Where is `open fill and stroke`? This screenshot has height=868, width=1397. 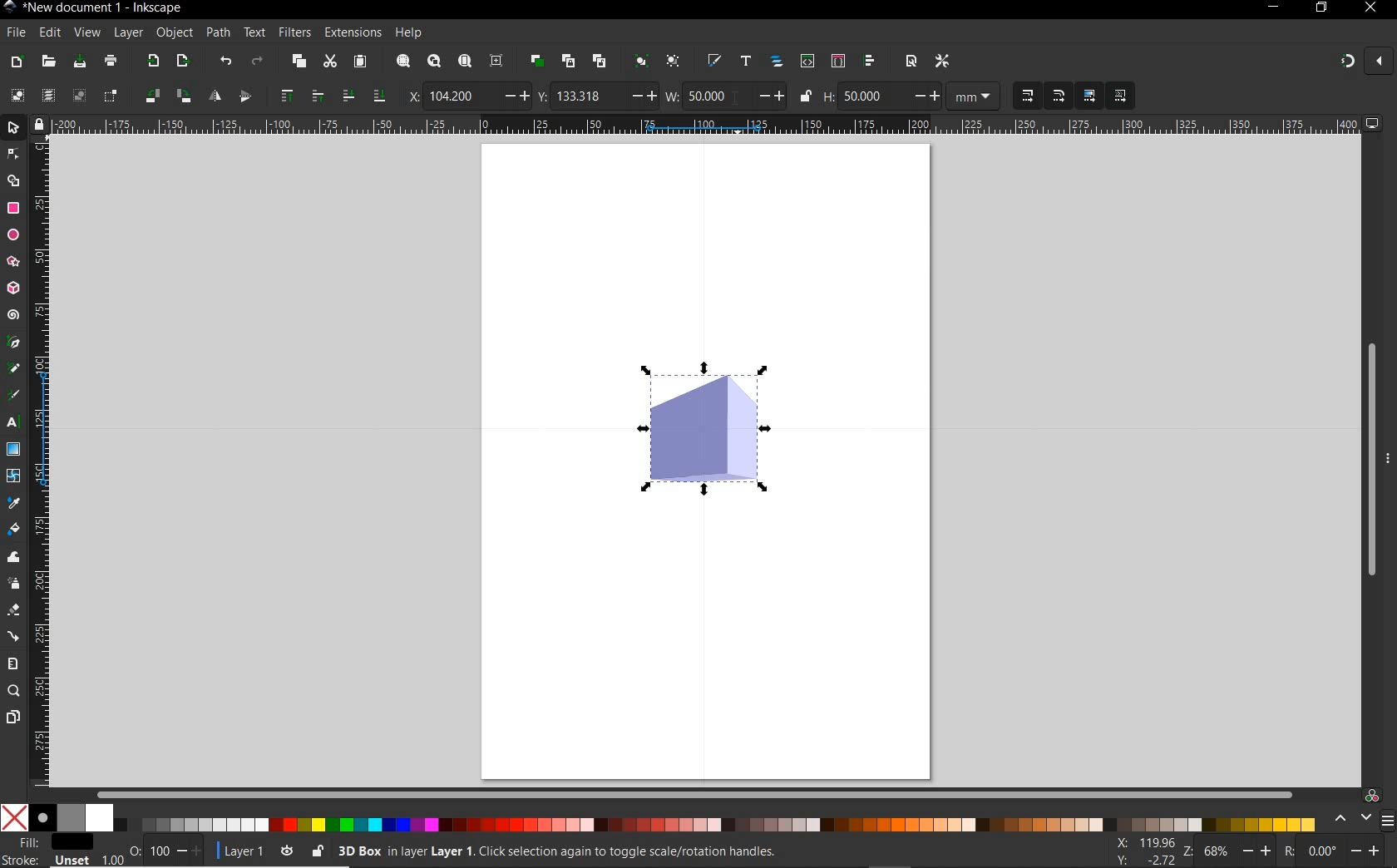 open fill and stroke is located at coordinates (713, 61).